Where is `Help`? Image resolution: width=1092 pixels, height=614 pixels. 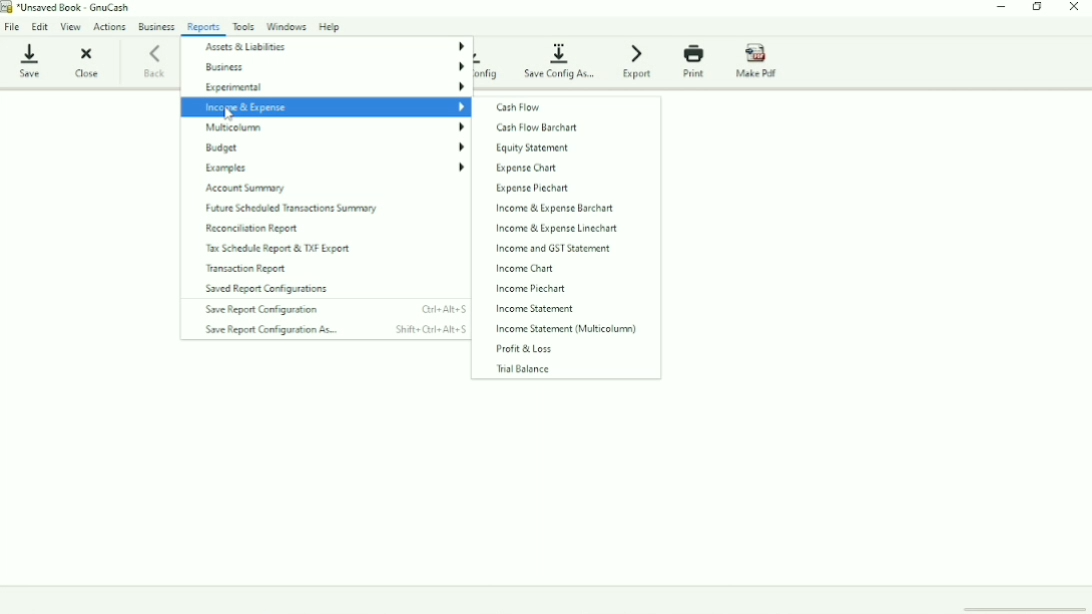 Help is located at coordinates (331, 26).